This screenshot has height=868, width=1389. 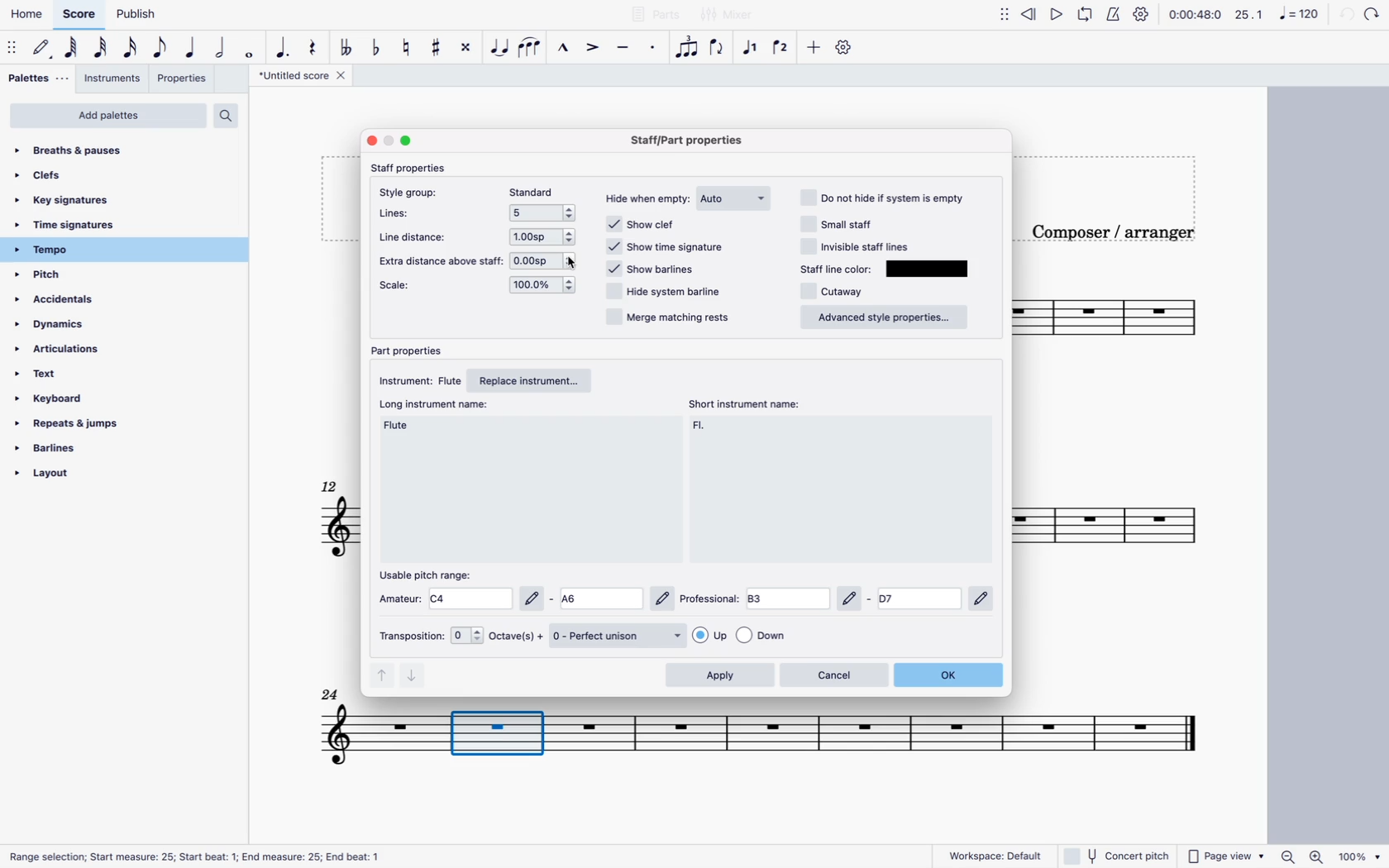 I want to click on amateur, so click(x=525, y=599).